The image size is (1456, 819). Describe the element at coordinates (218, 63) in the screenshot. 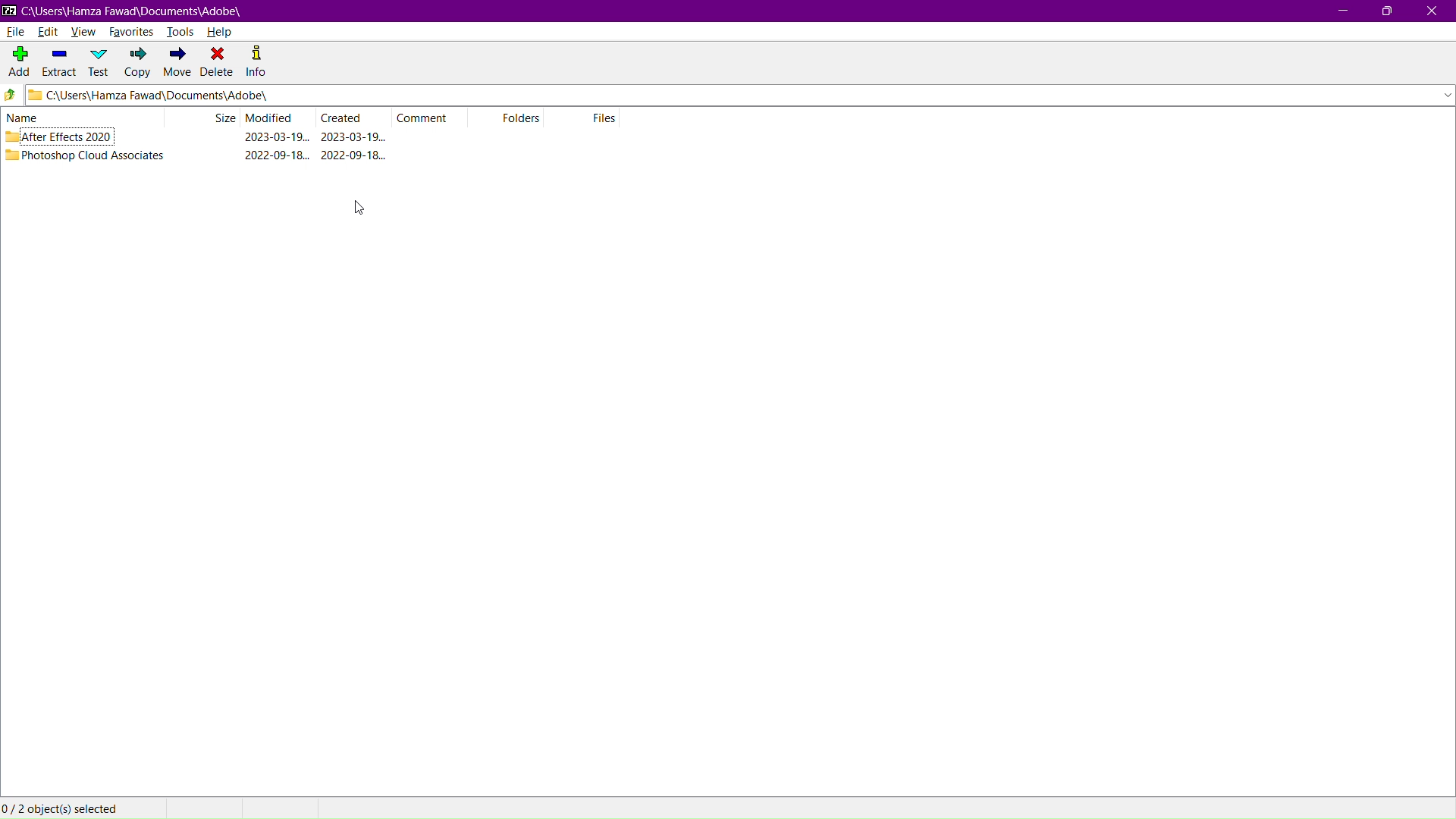

I see `Delete` at that location.